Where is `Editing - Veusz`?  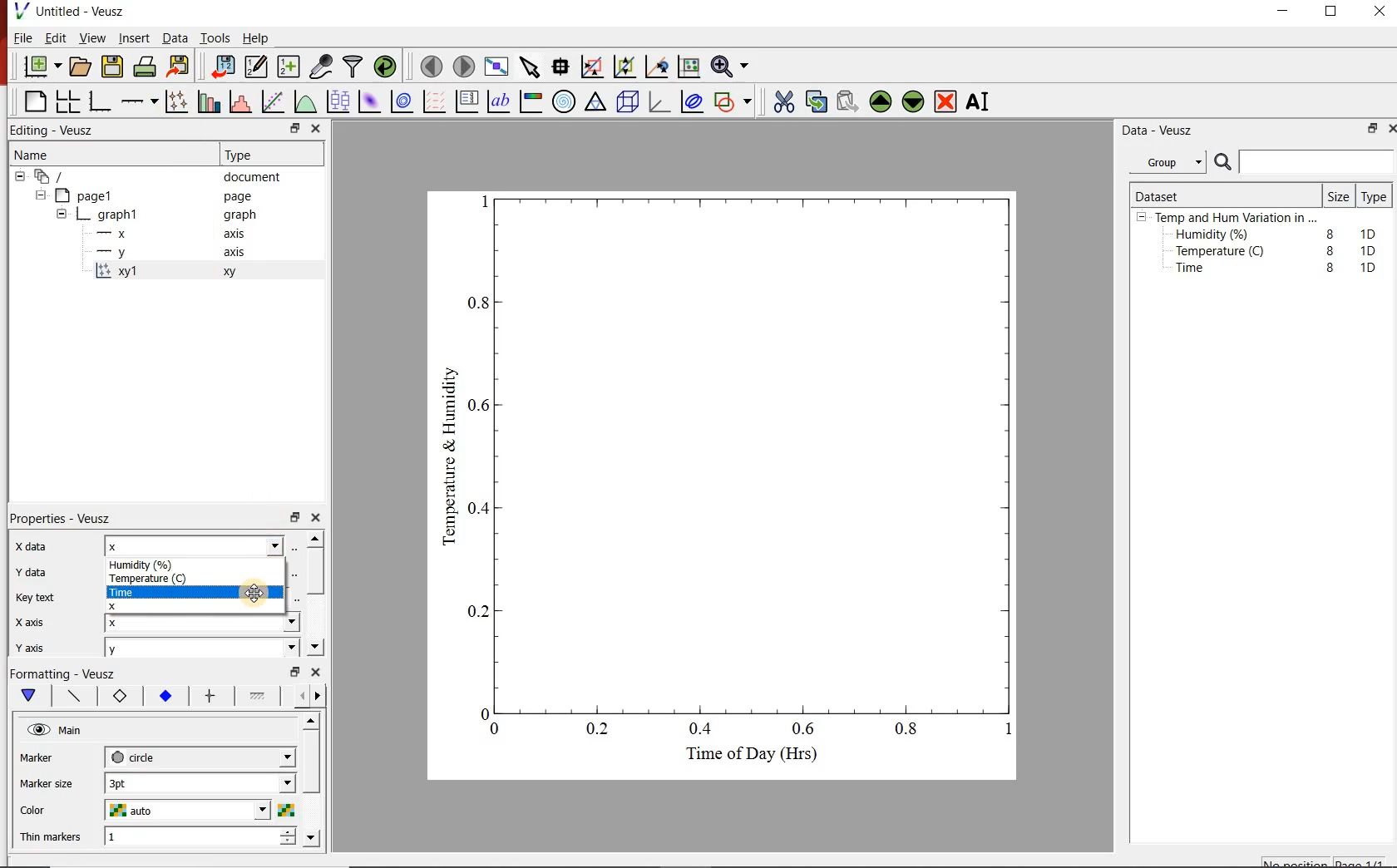 Editing - Veusz is located at coordinates (57, 130).